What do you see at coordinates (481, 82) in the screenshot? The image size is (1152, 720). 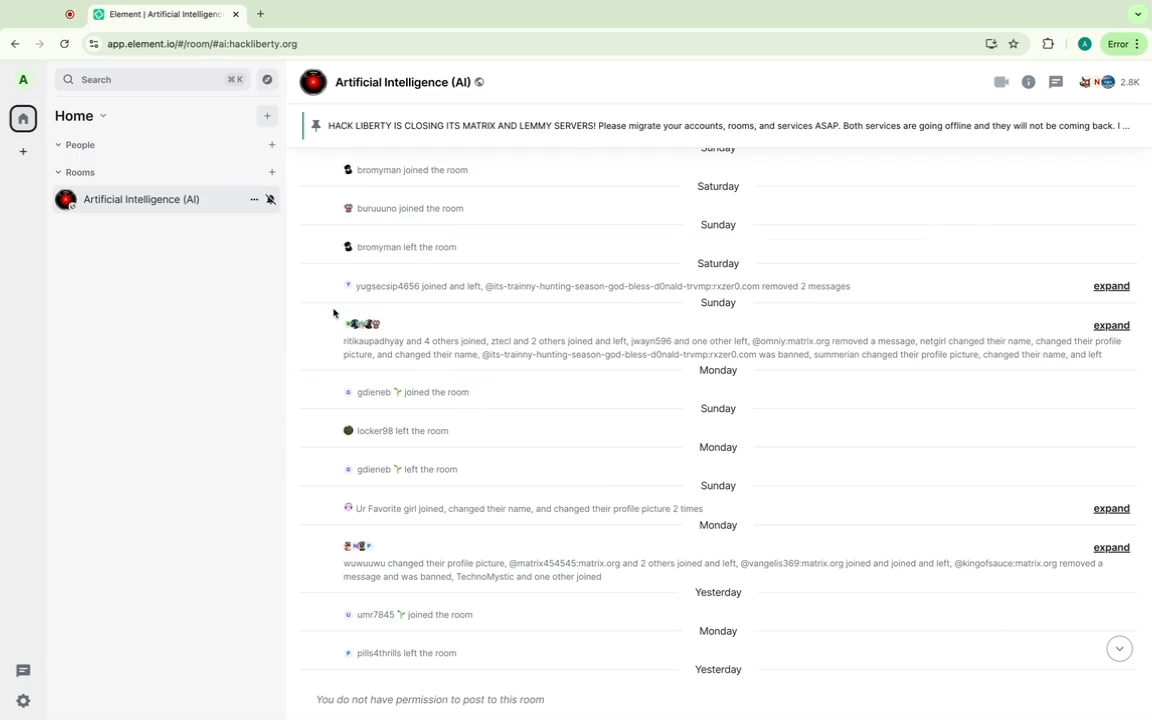 I see `Public room` at bounding box center [481, 82].